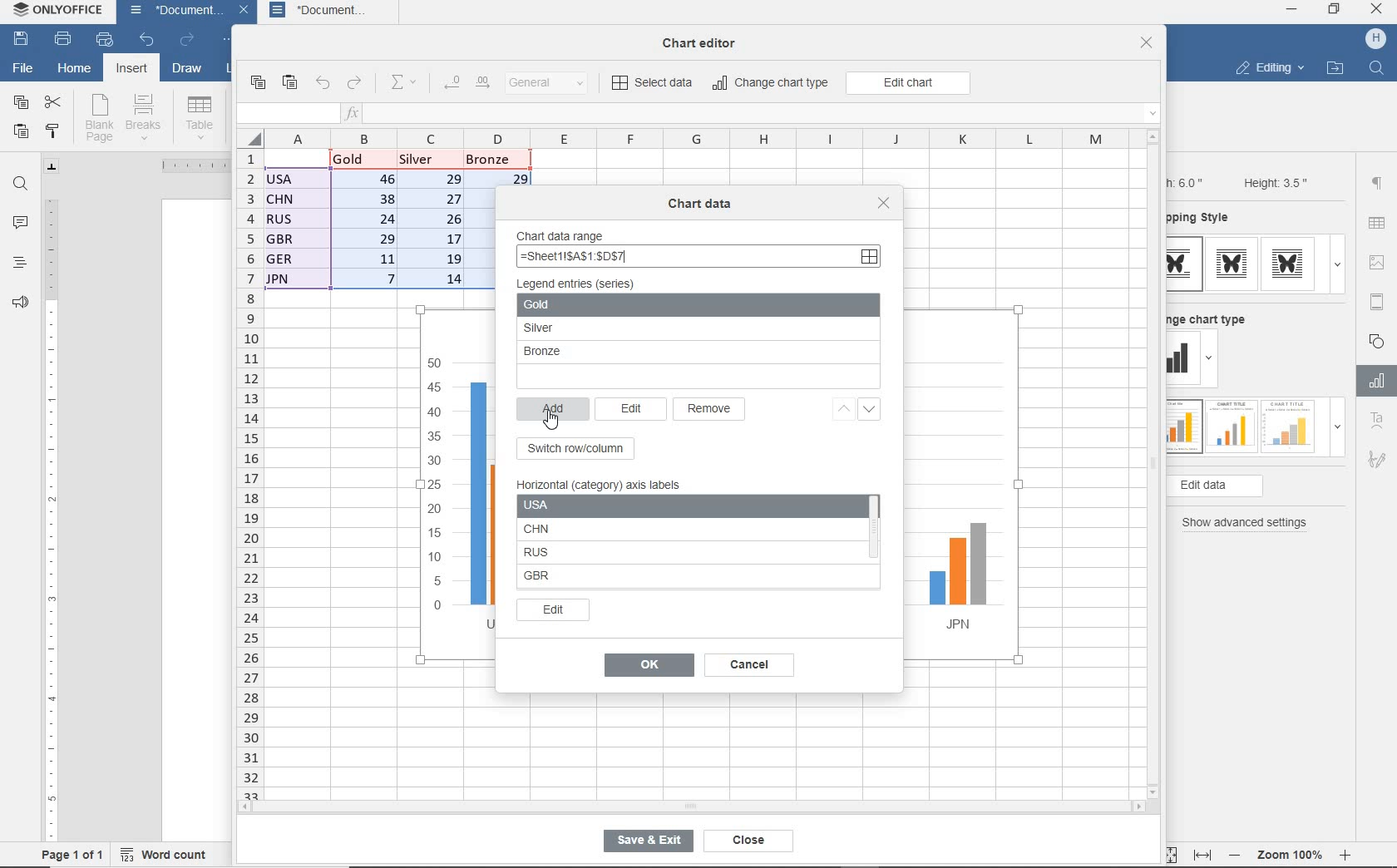 The image size is (1397, 868). I want to click on feedback & support, so click(18, 306).